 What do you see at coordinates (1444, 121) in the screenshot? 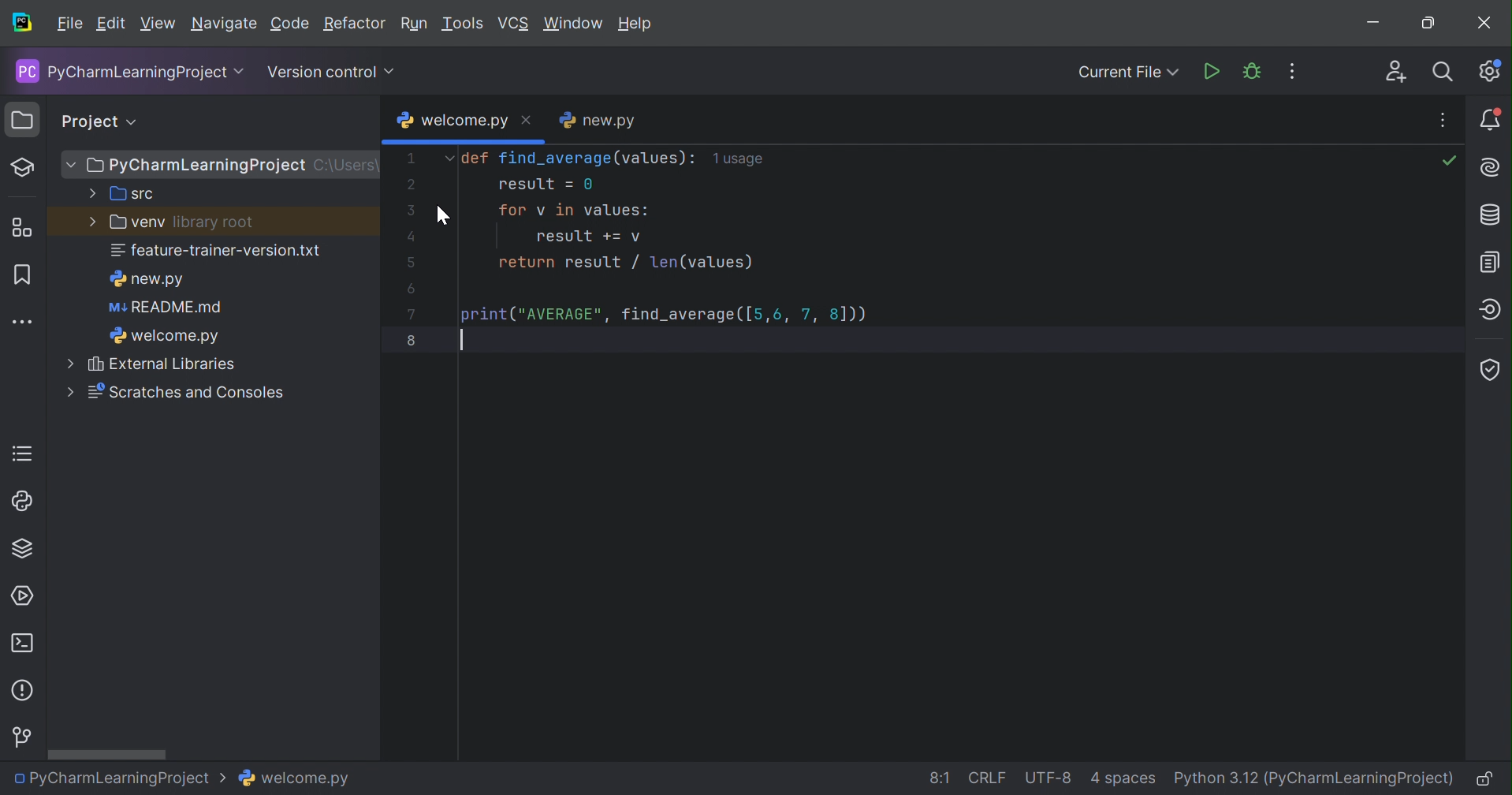
I see `Recent Files, Tab Actions and More` at bounding box center [1444, 121].